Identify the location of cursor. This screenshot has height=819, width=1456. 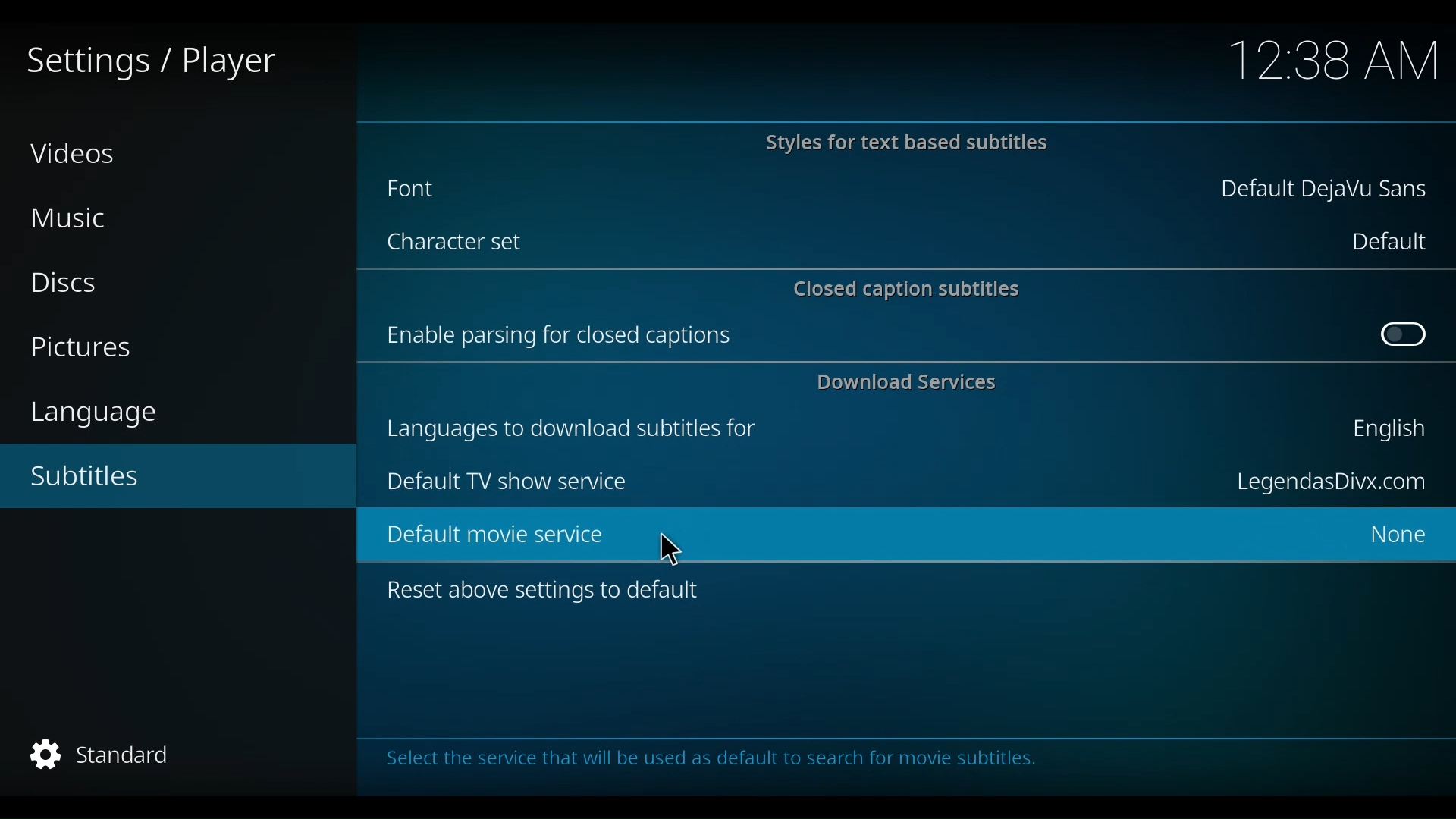
(671, 548).